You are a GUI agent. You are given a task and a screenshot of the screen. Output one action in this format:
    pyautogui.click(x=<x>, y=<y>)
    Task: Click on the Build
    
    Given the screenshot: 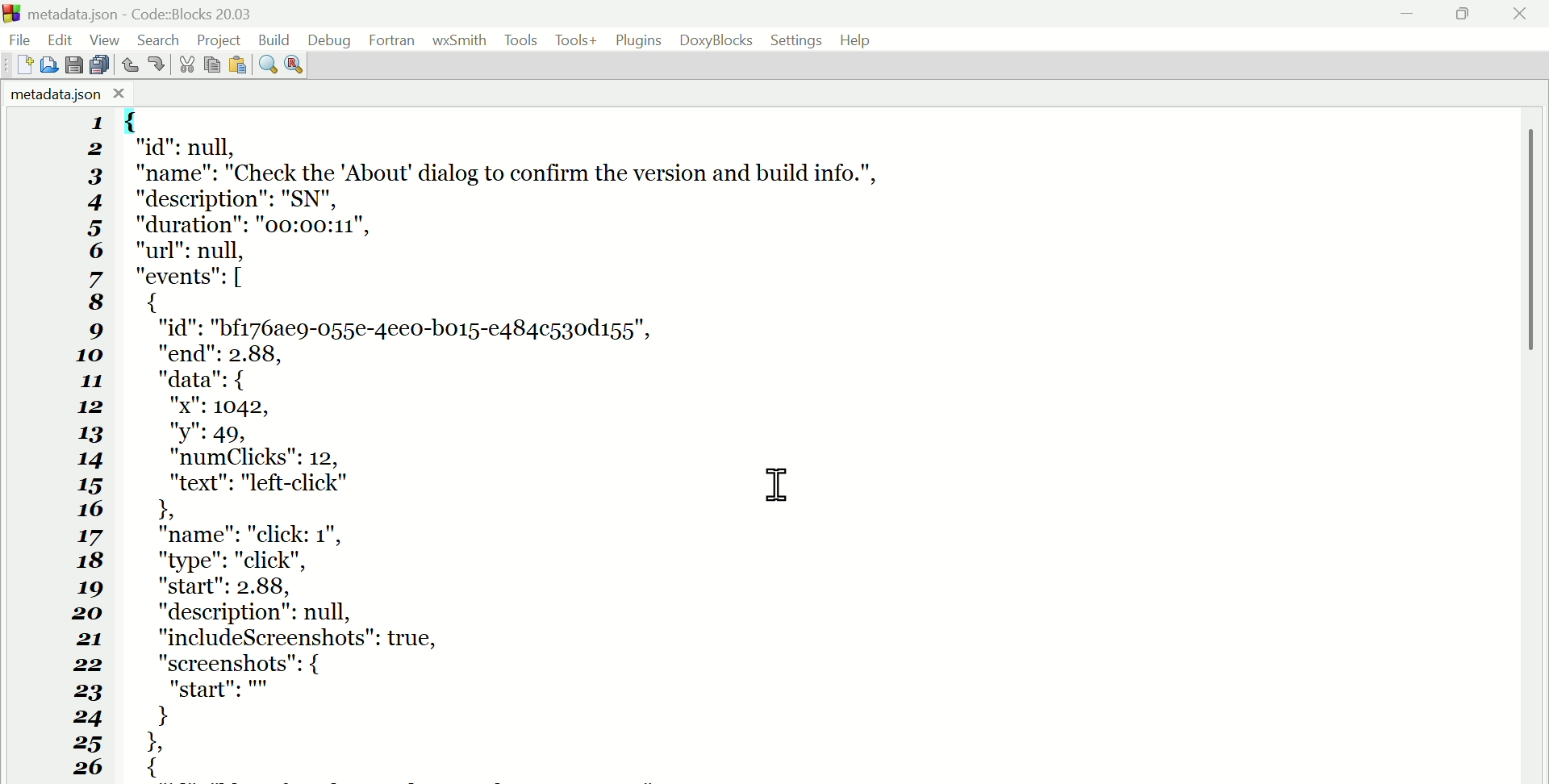 What is the action you would take?
    pyautogui.click(x=274, y=38)
    